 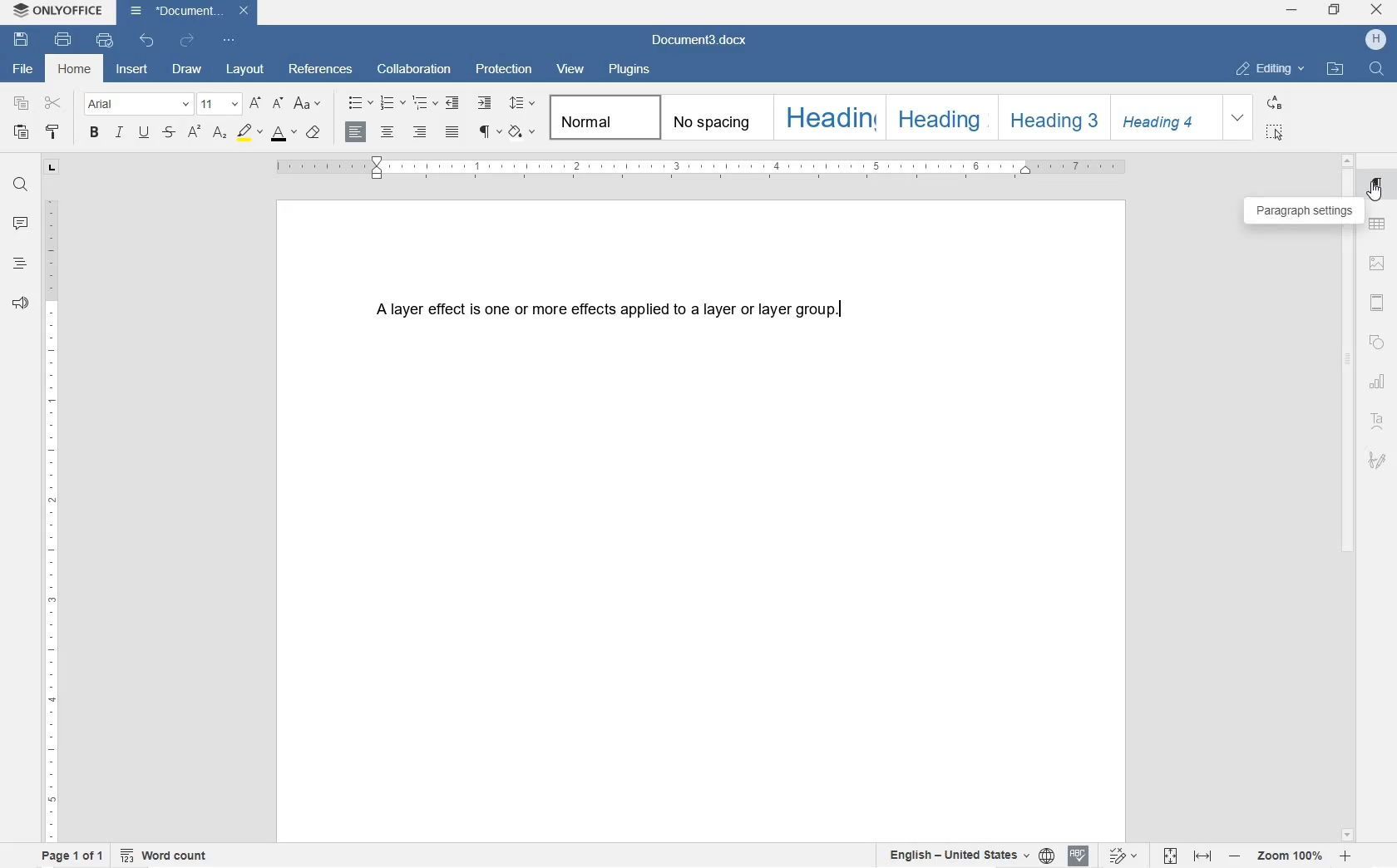 I want to click on HEADING 1, so click(x=827, y=116).